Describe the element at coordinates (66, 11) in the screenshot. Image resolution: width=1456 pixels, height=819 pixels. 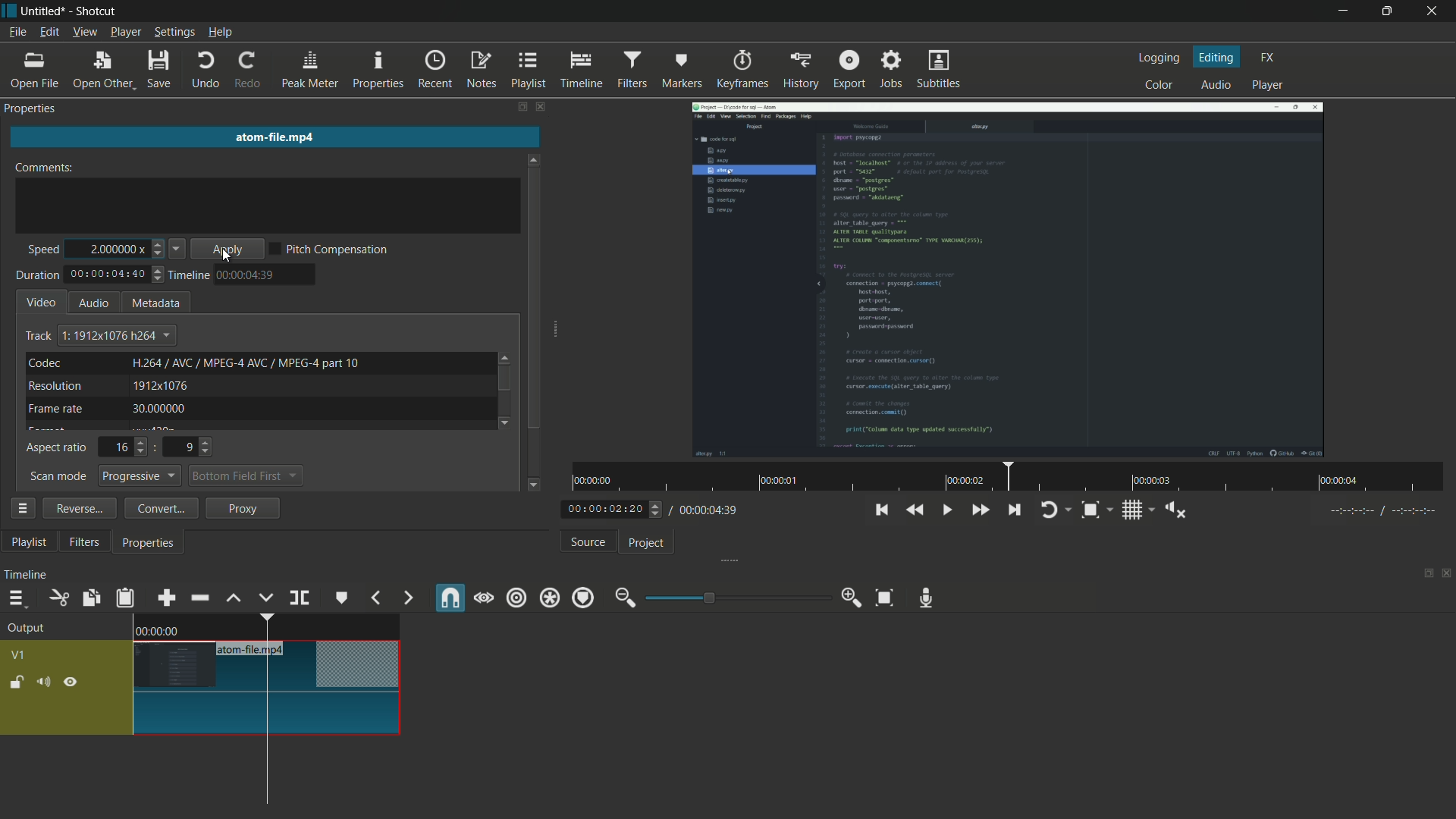
I see `~ Untitled* - Shotcut` at that location.